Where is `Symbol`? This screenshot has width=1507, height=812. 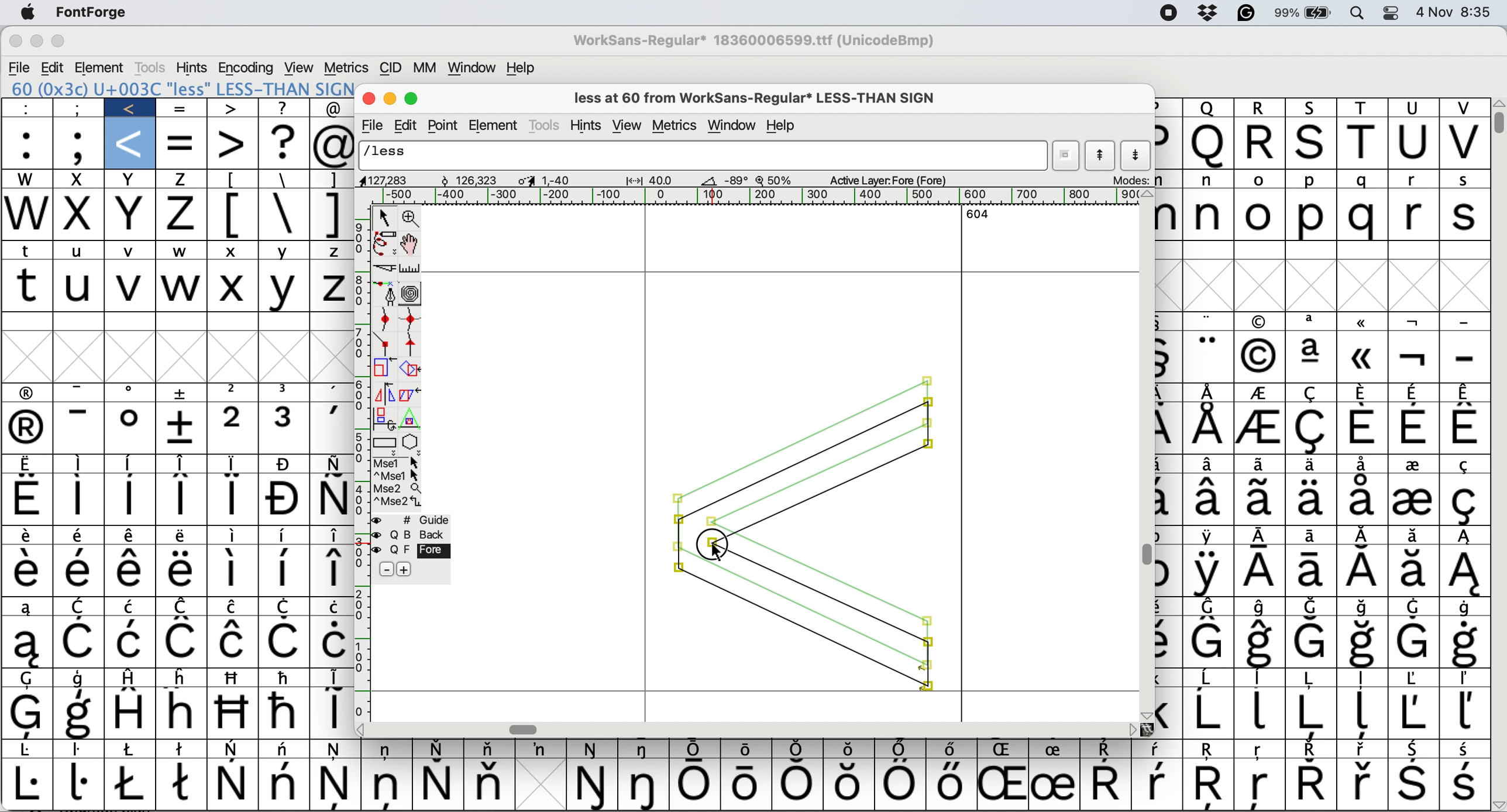
Symbol is located at coordinates (1466, 536).